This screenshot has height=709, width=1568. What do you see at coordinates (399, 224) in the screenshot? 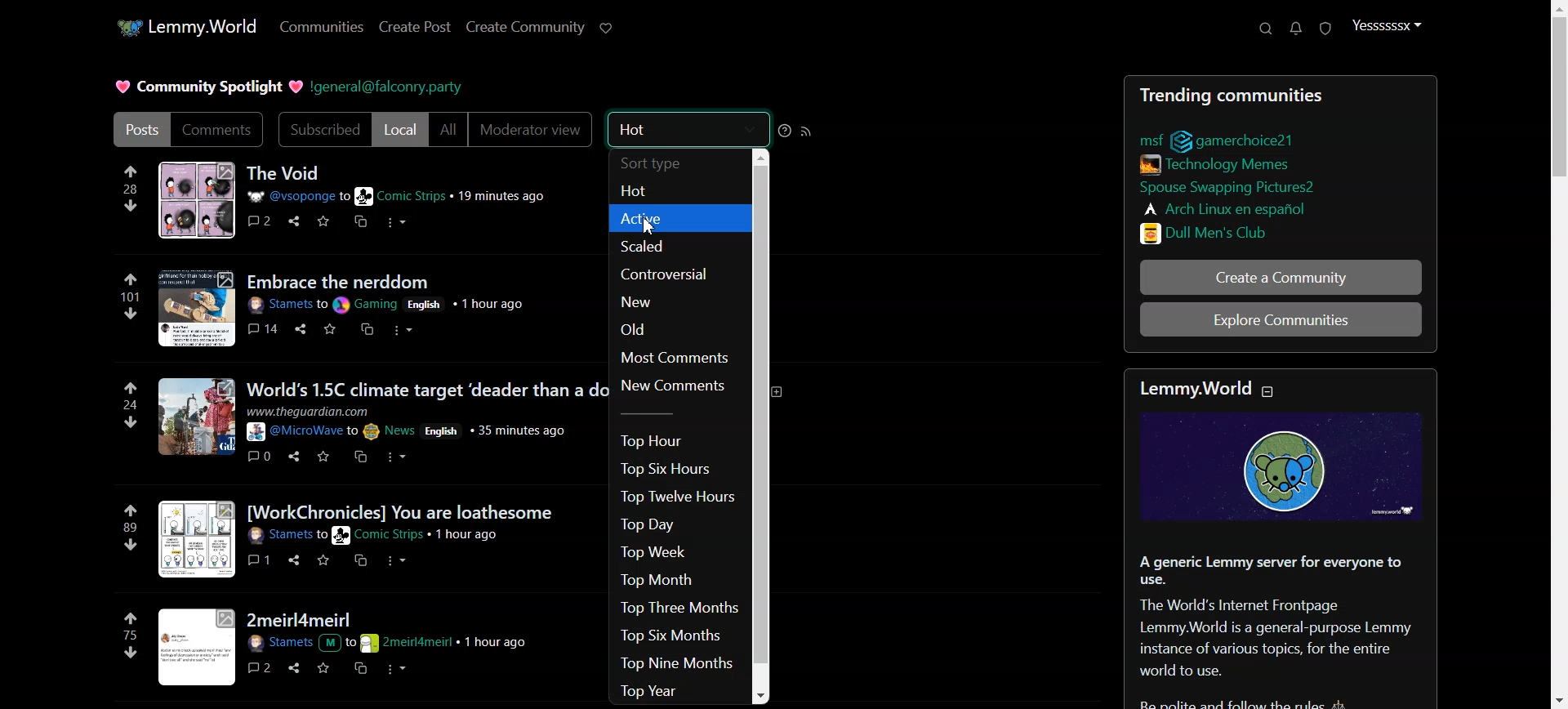
I see `more` at bounding box center [399, 224].